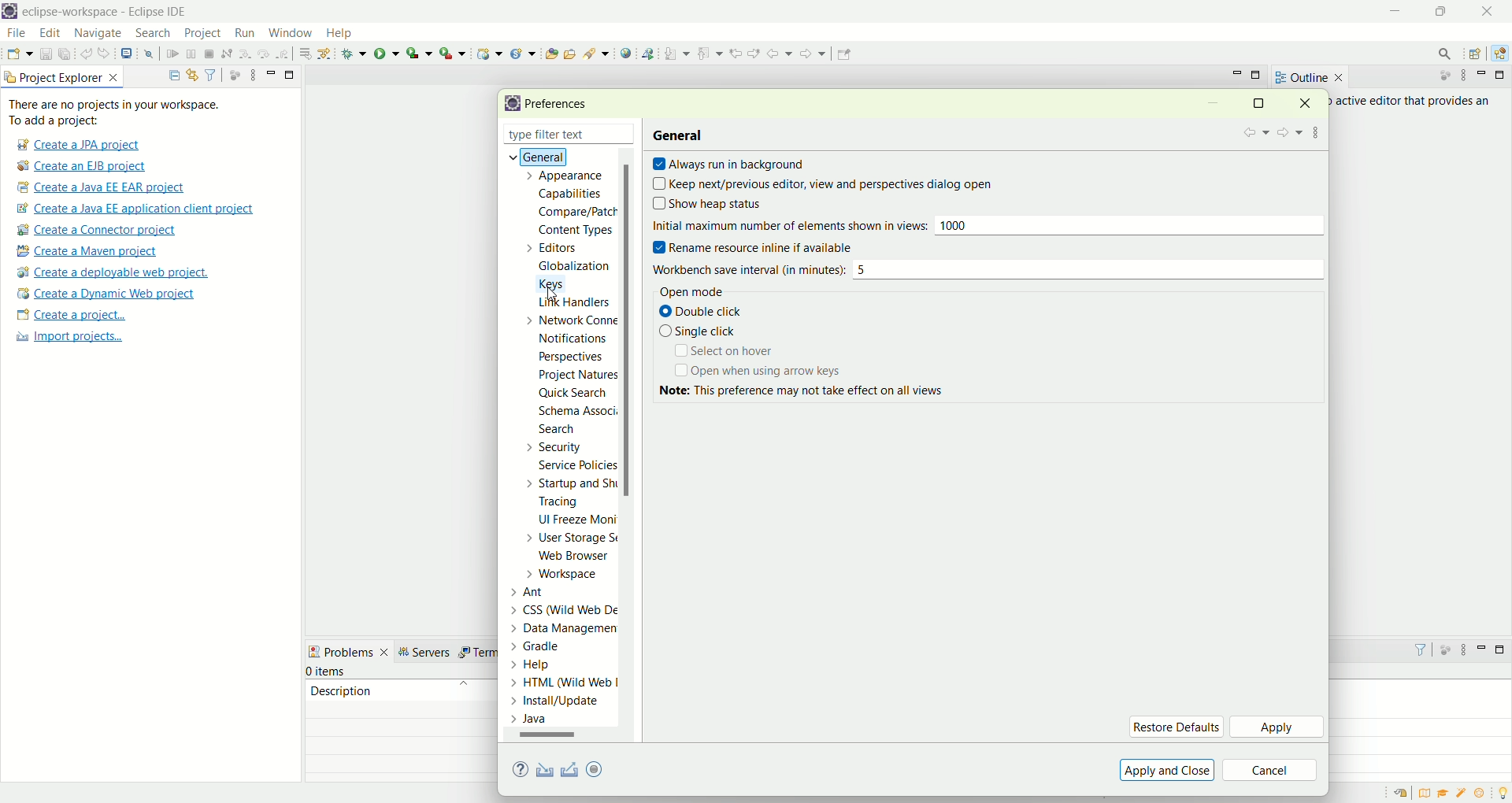  What do you see at coordinates (703, 313) in the screenshot?
I see `double click` at bounding box center [703, 313].